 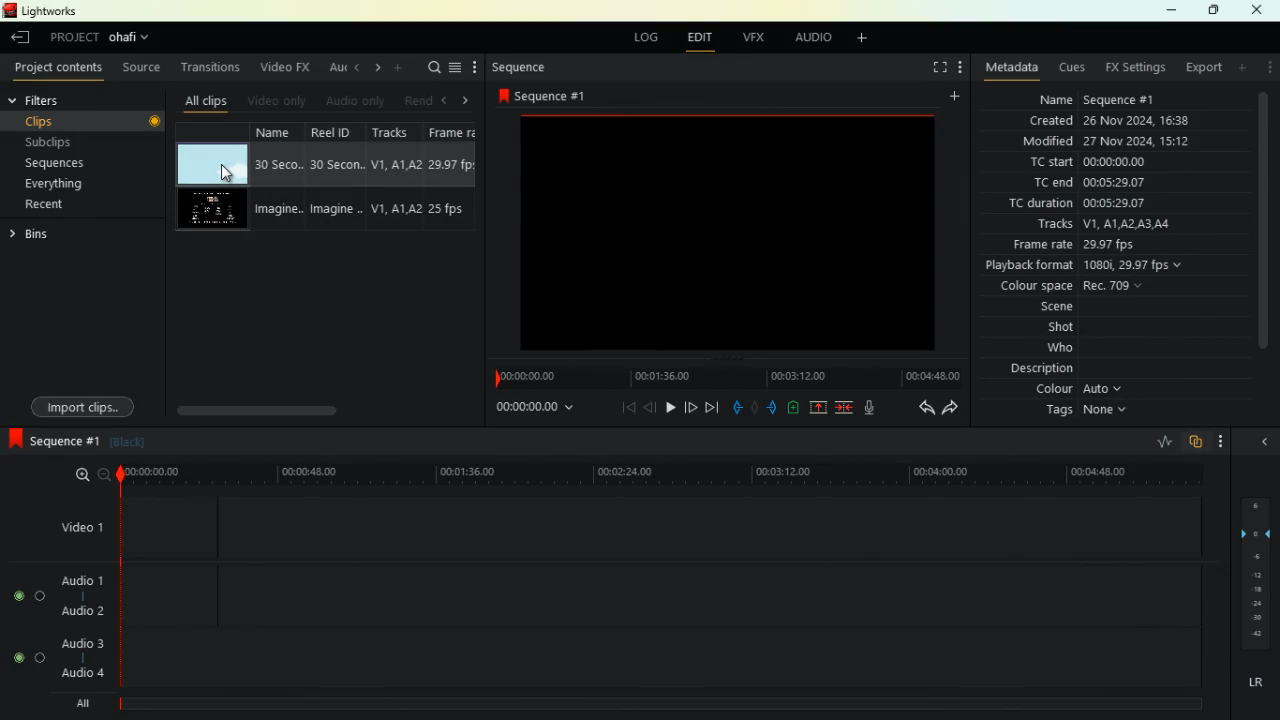 I want to click on created, so click(x=1104, y=121).